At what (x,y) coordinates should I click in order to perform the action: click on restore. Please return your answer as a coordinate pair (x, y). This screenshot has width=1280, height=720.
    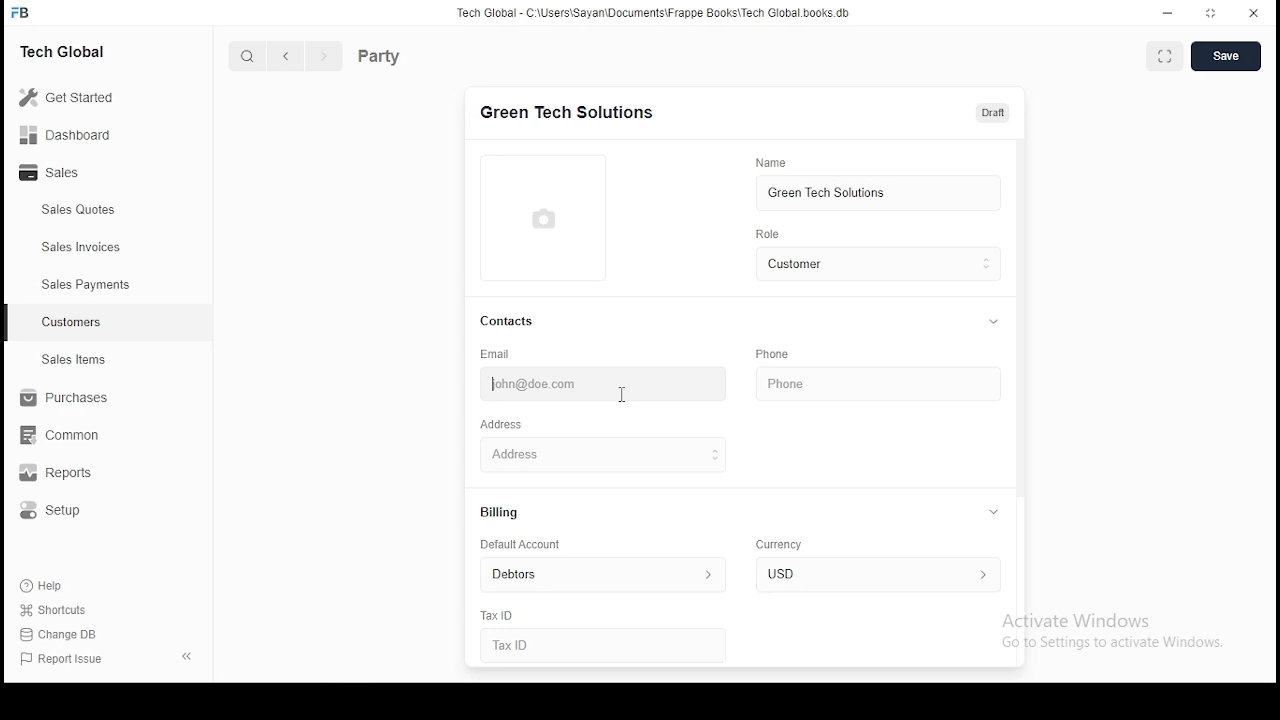
    Looking at the image, I should click on (1211, 12).